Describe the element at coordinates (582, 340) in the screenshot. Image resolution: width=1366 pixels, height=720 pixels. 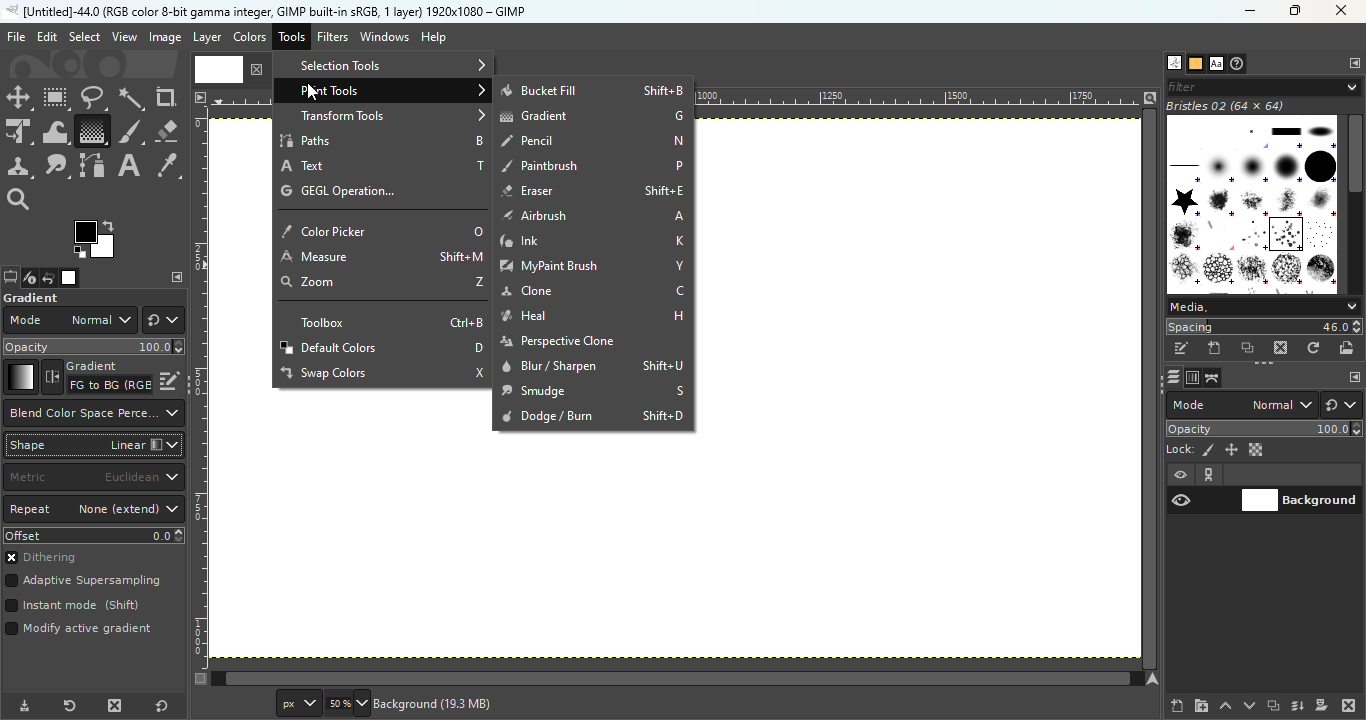
I see `Perspective clone` at that location.